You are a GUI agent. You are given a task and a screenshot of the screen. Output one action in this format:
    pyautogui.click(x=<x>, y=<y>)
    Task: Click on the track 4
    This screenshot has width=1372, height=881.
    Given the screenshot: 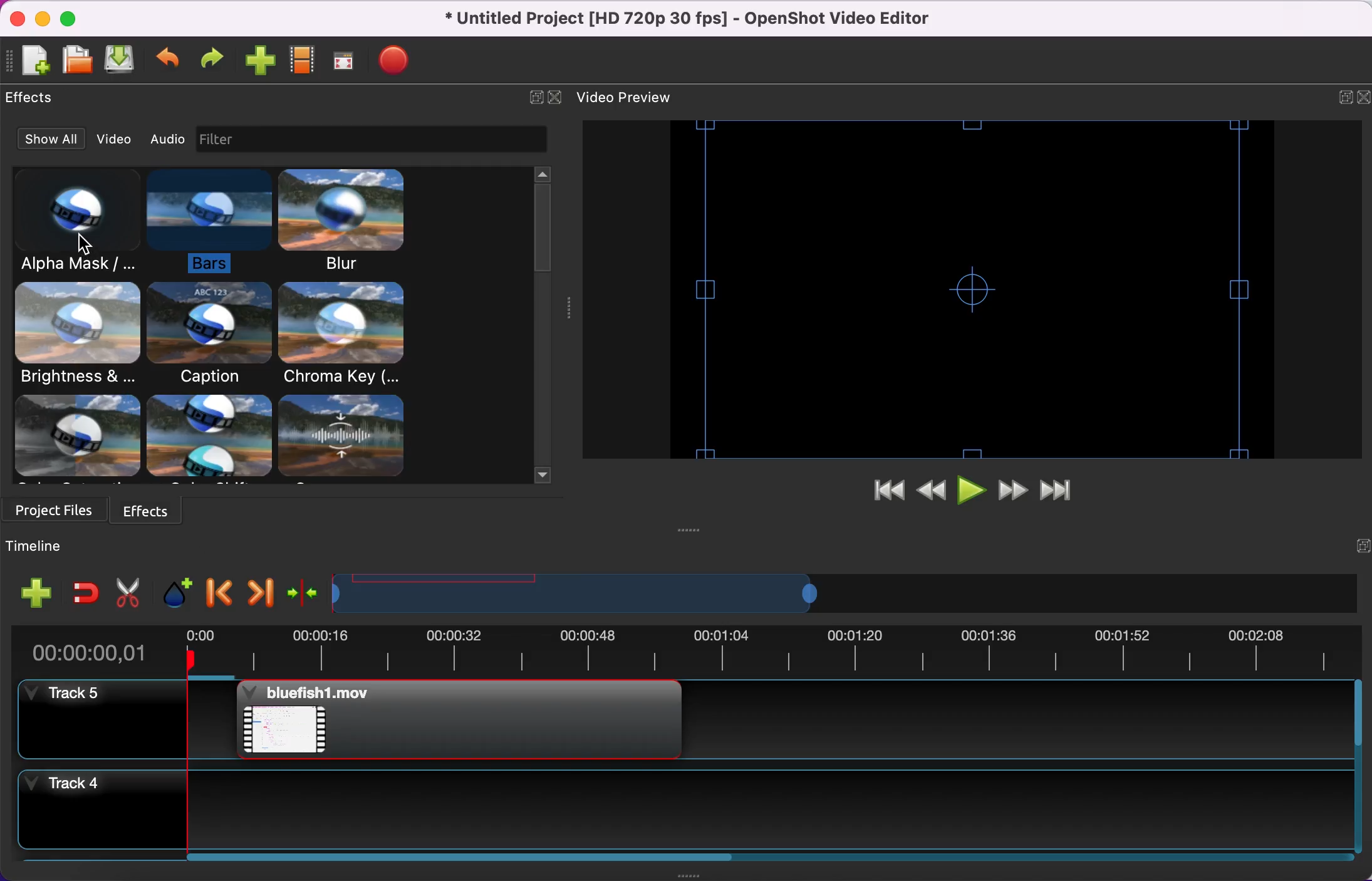 What is the action you would take?
    pyautogui.click(x=694, y=813)
    